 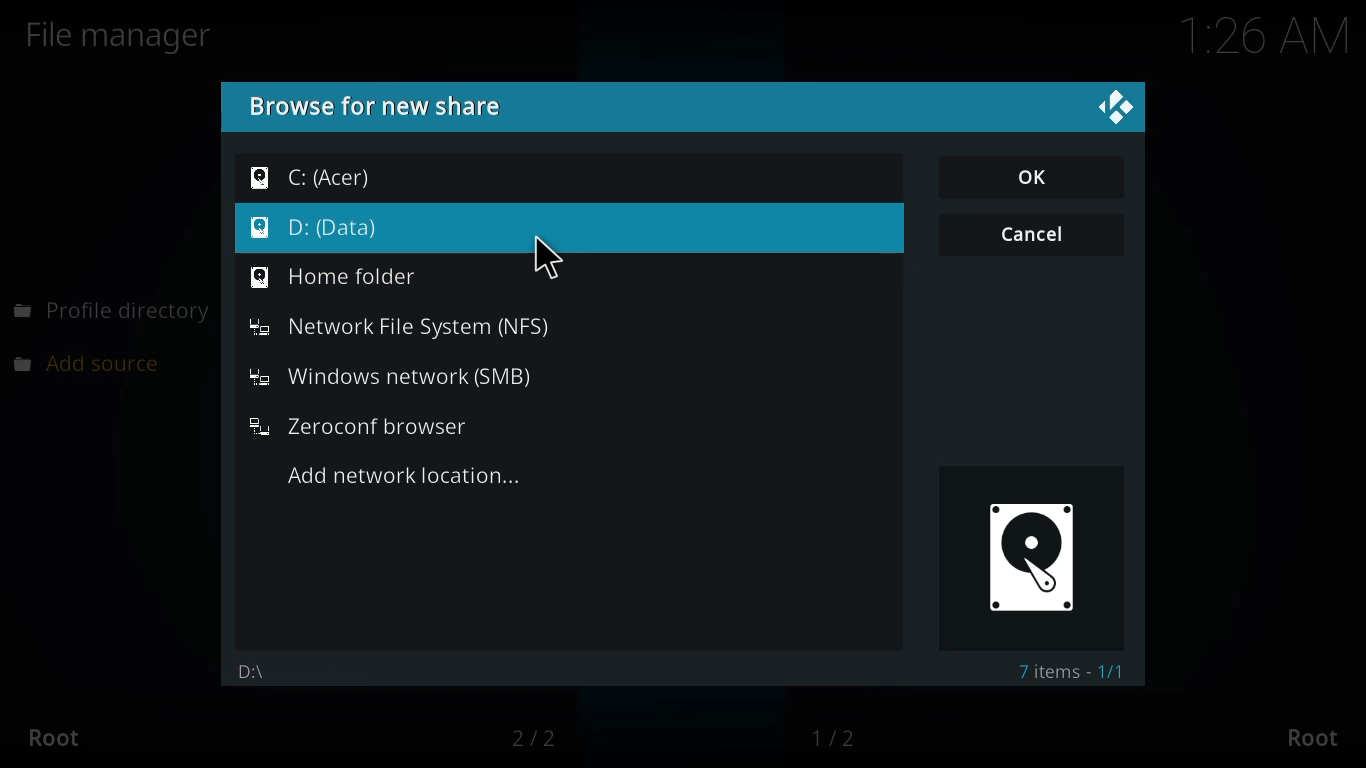 What do you see at coordinates (340, 278) in the screenshot?
I see `home` at bounding box center [340, 278].